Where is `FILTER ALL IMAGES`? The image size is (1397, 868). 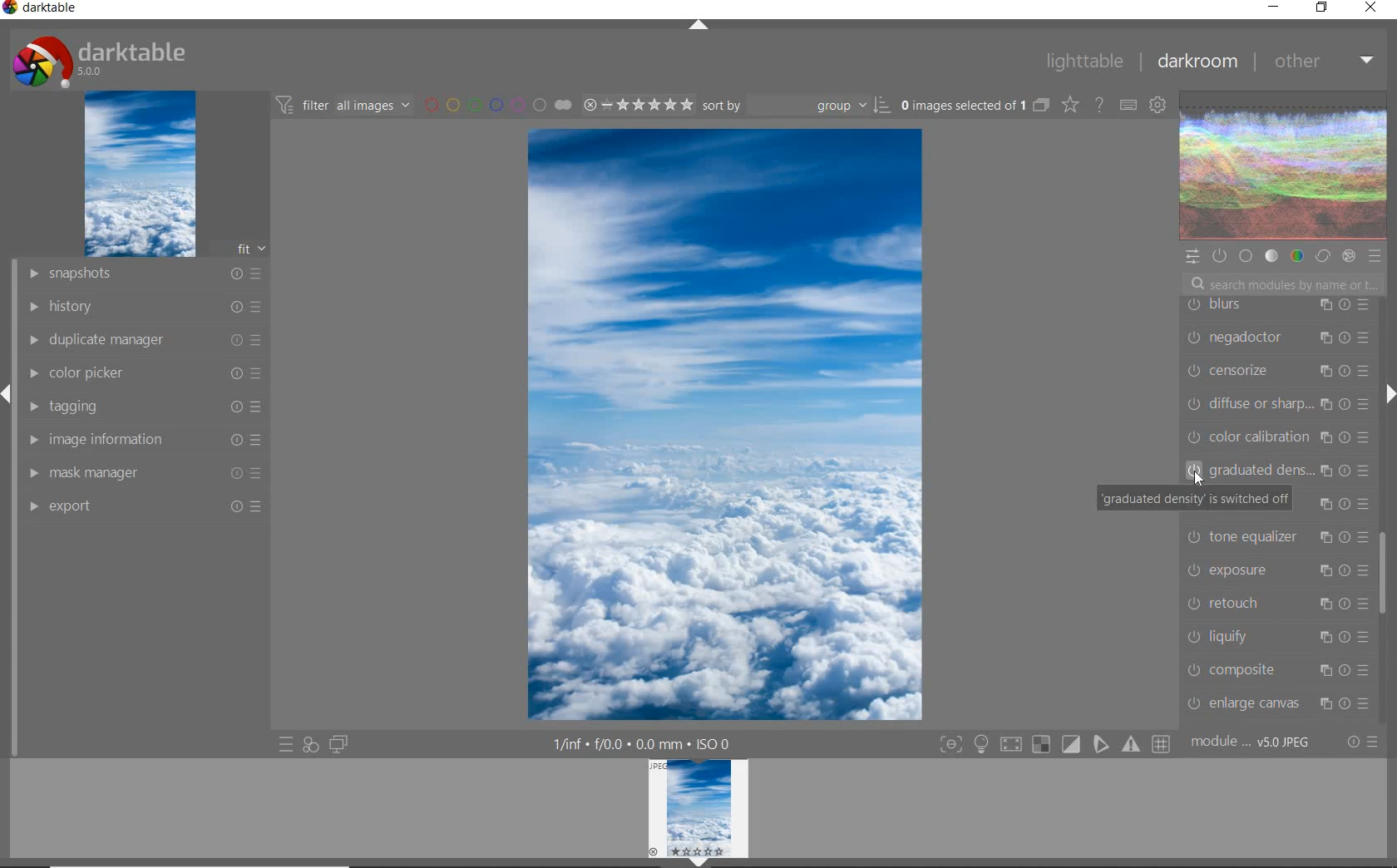
FILTER ALL IMAGES is located at coordinates (342, 105).